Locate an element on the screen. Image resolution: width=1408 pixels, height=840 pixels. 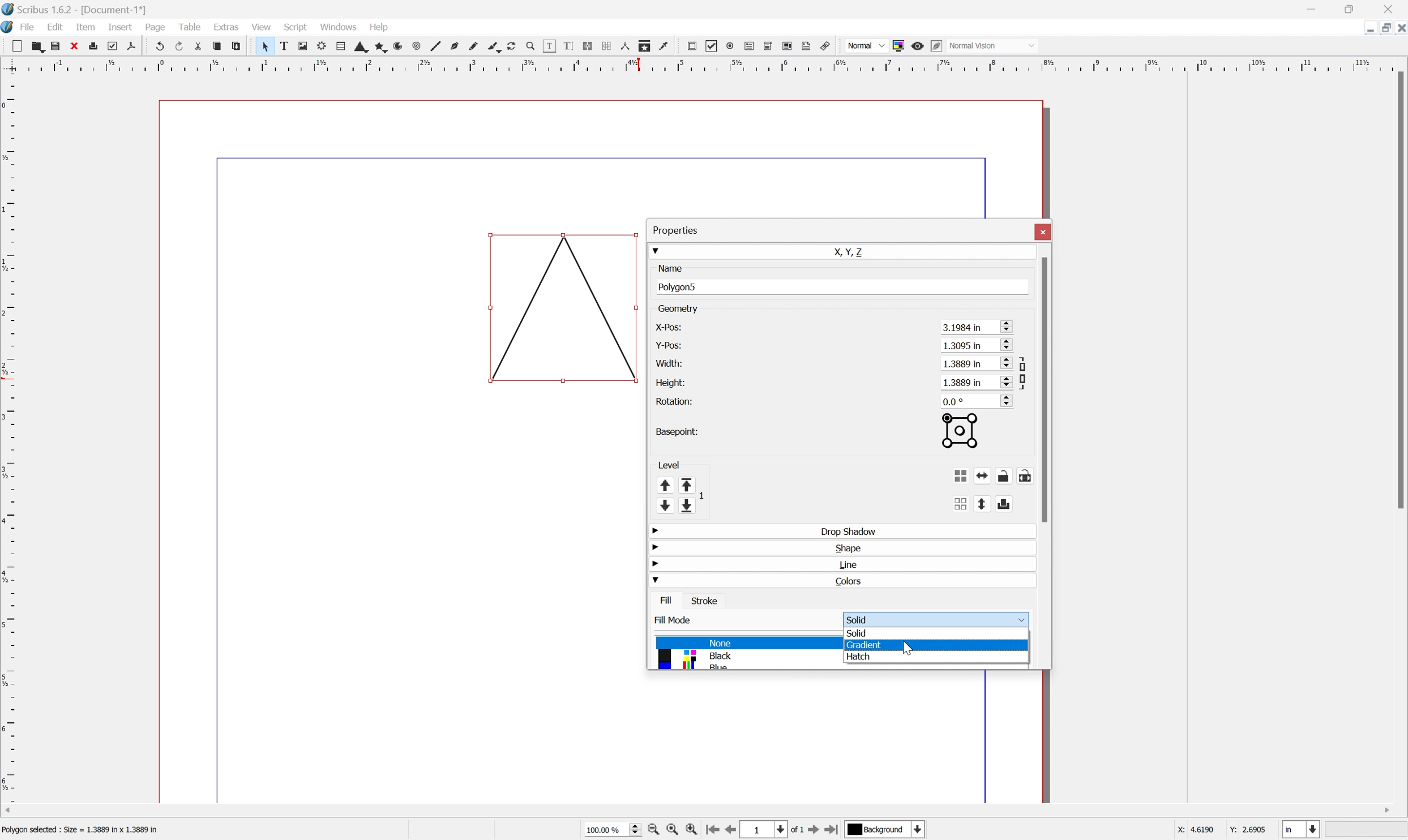
Undo is located at coordinates (157, 44).